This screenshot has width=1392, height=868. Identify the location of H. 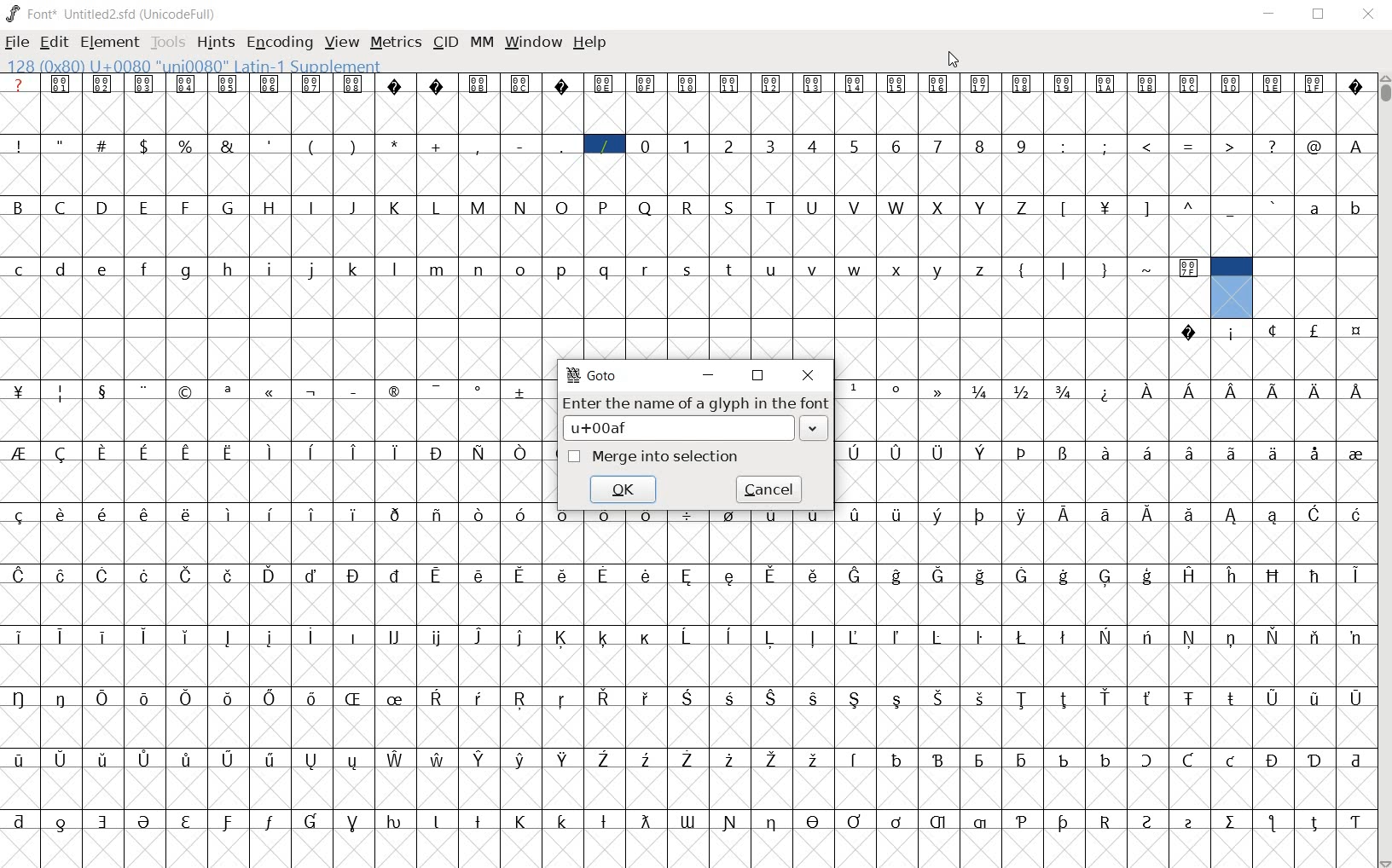
(273, 206).